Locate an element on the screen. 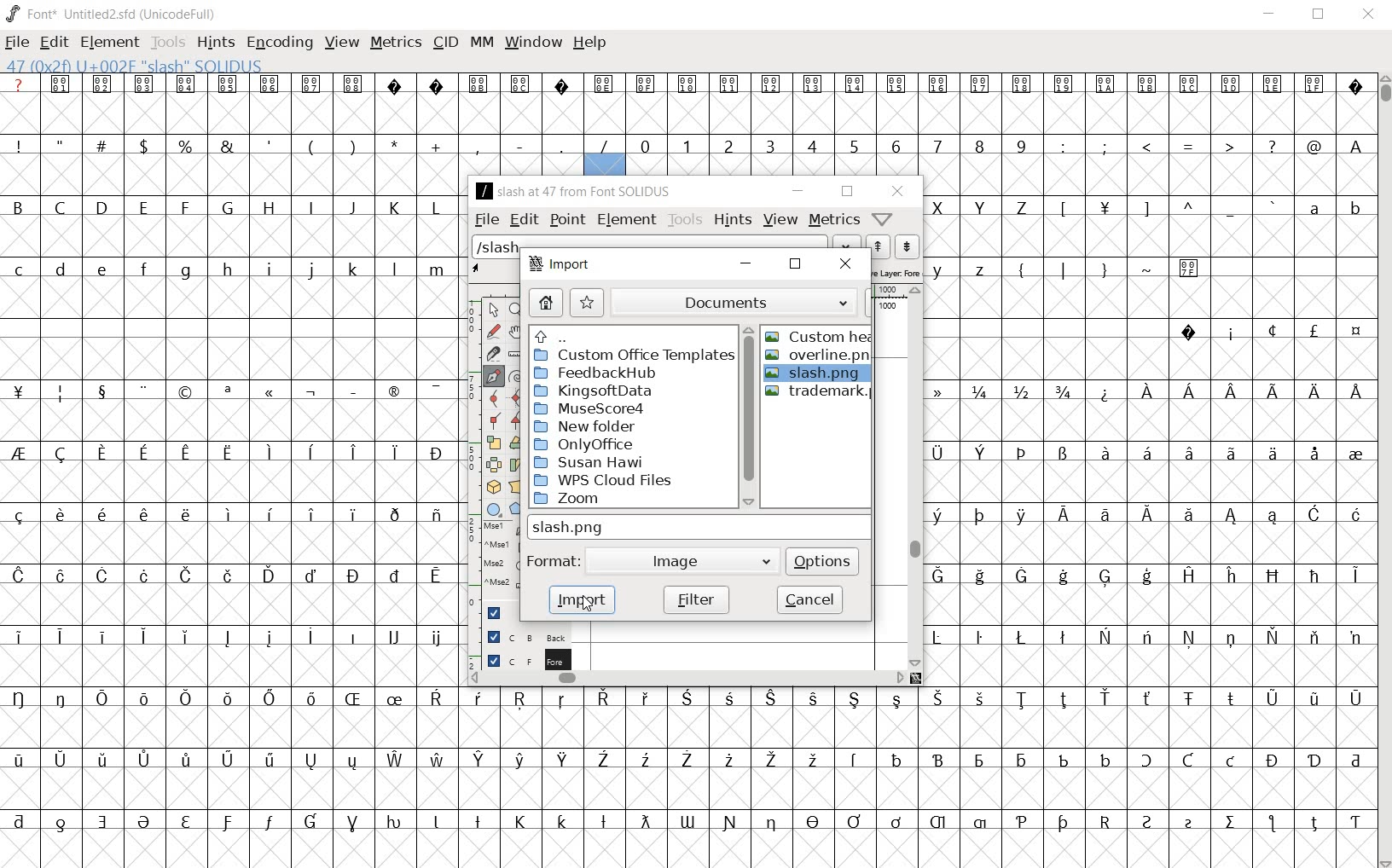  scale the selection is located at coordinates (492, 443).